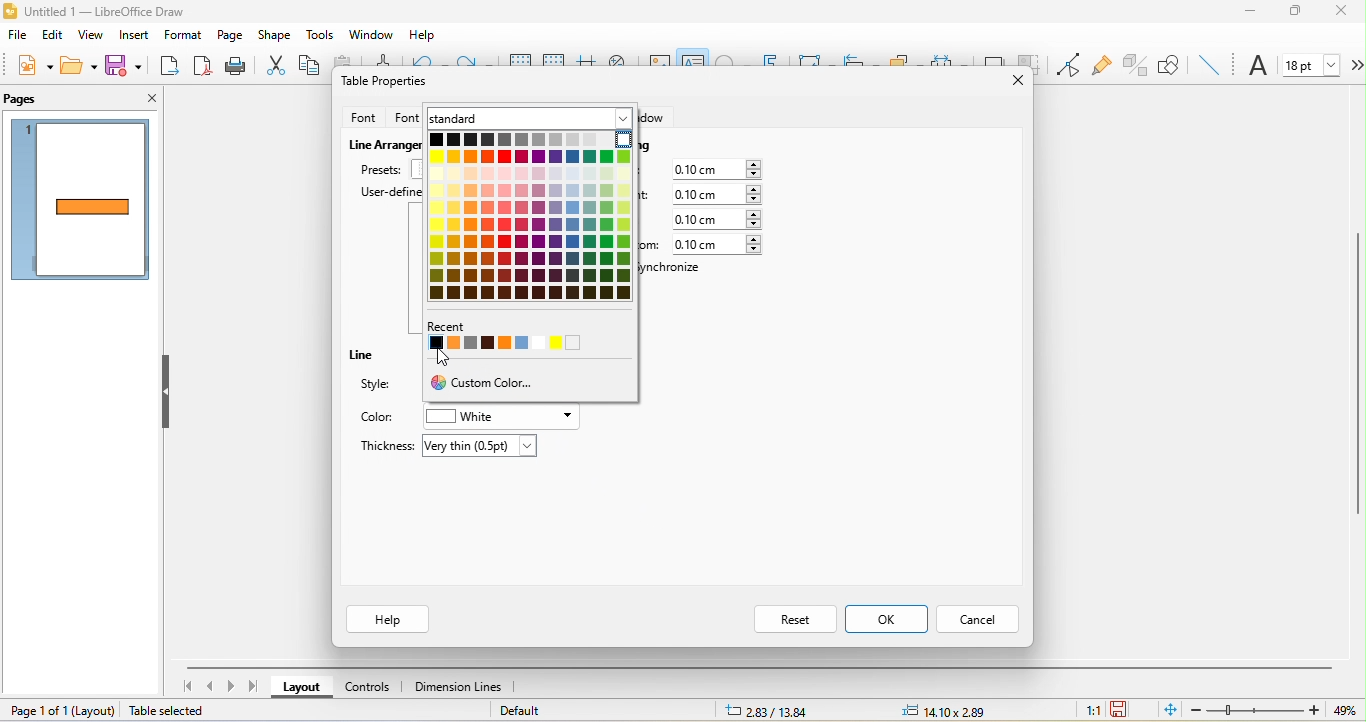  I want to click on live arrangement, so click(380, 145).